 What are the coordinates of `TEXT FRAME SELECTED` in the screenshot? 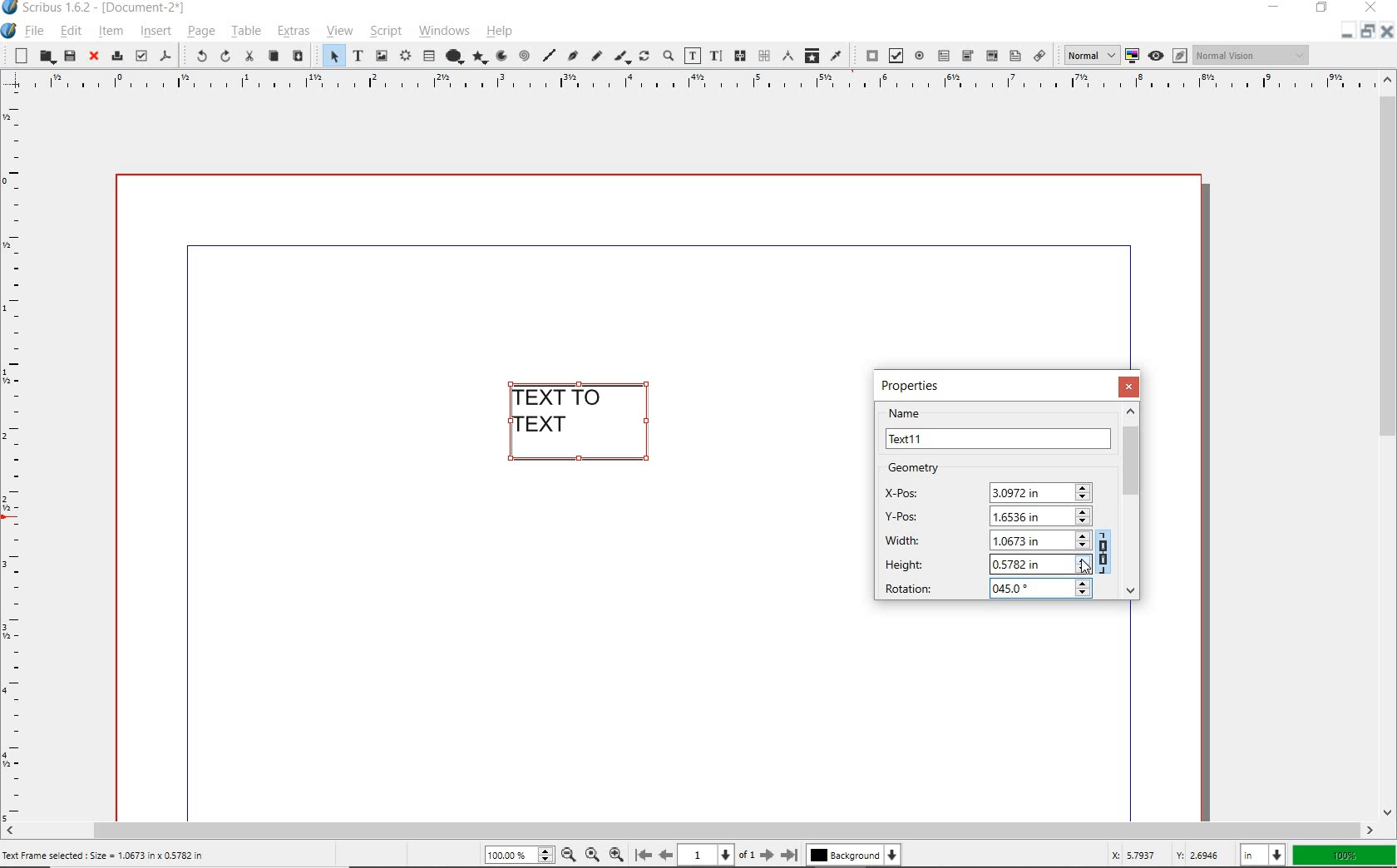 It's located at (585, 423).